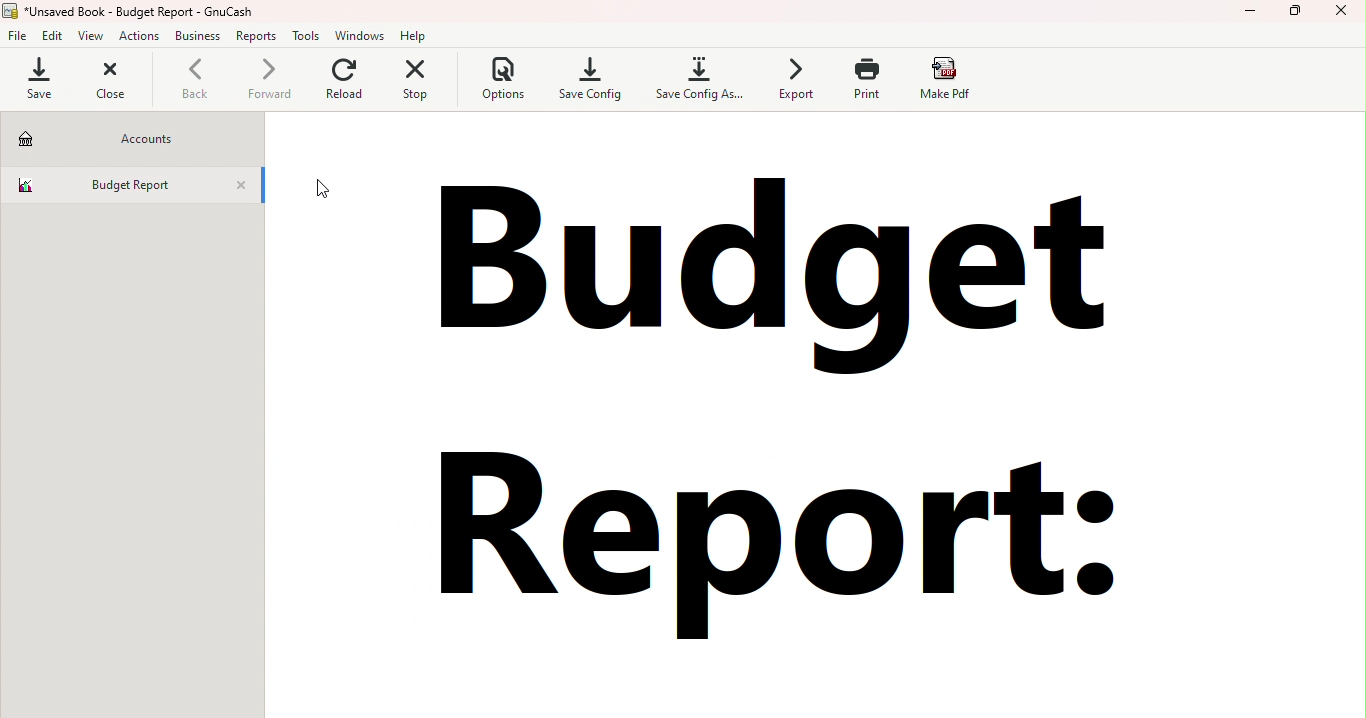 This screenshot has height=718, width=1366. I want to click on View, so click(93, 37).